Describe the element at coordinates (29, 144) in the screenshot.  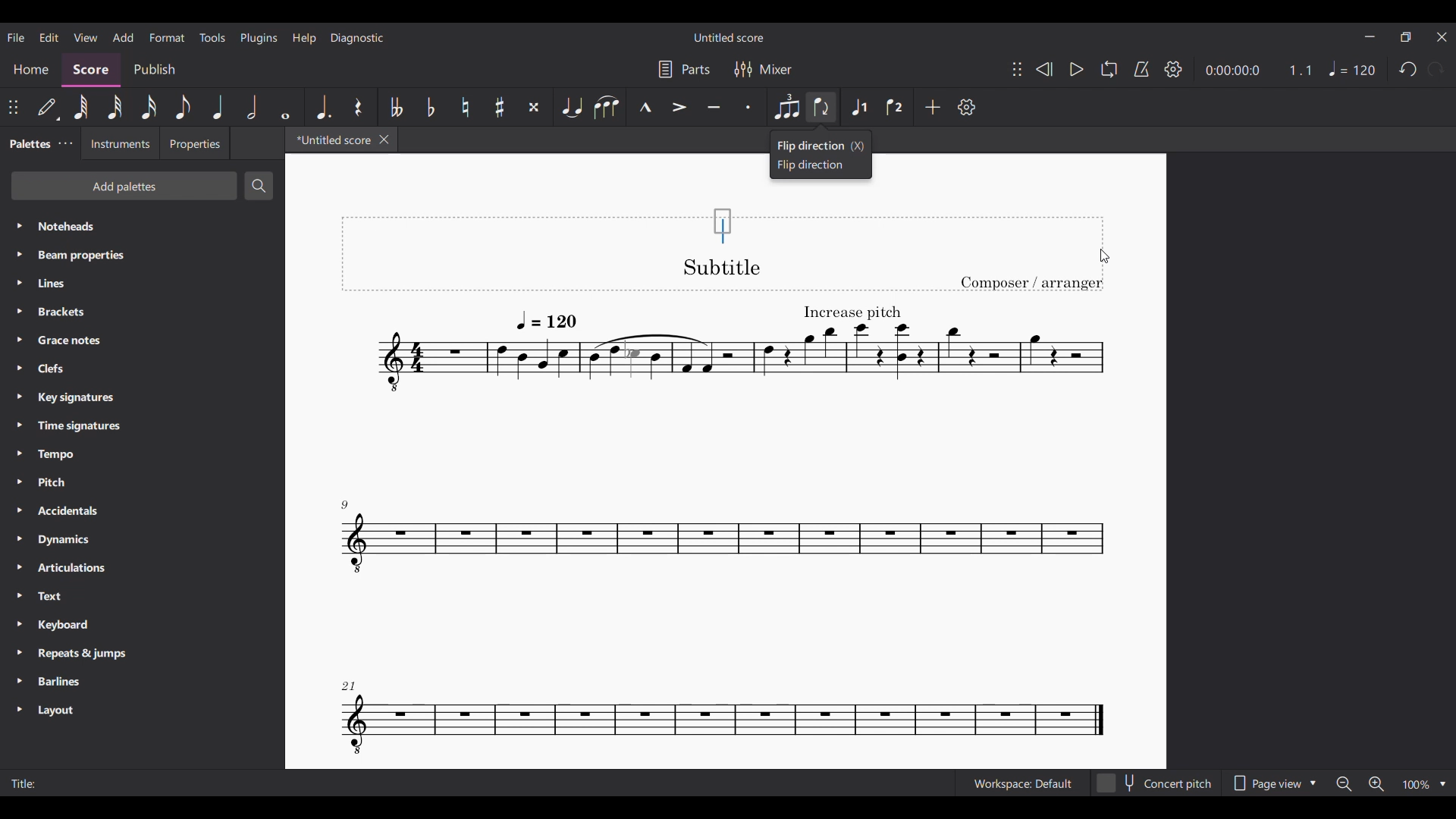
I see `Palettes, current tab` at that location.